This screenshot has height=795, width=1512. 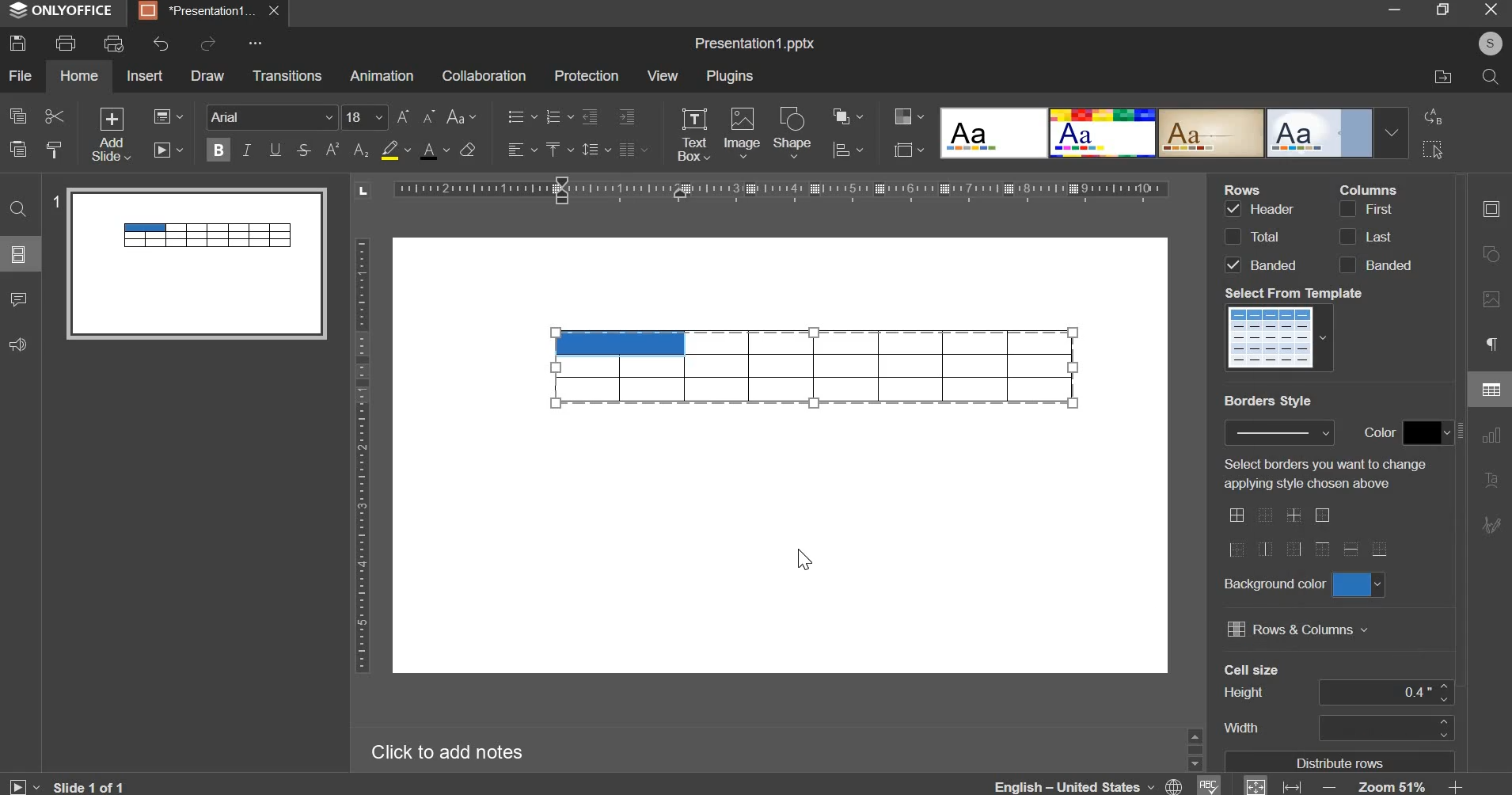 What do you see at coordinates (1194, 747) in the screenshot?
I see `Sidebar` at bounding box center [1194, 747].